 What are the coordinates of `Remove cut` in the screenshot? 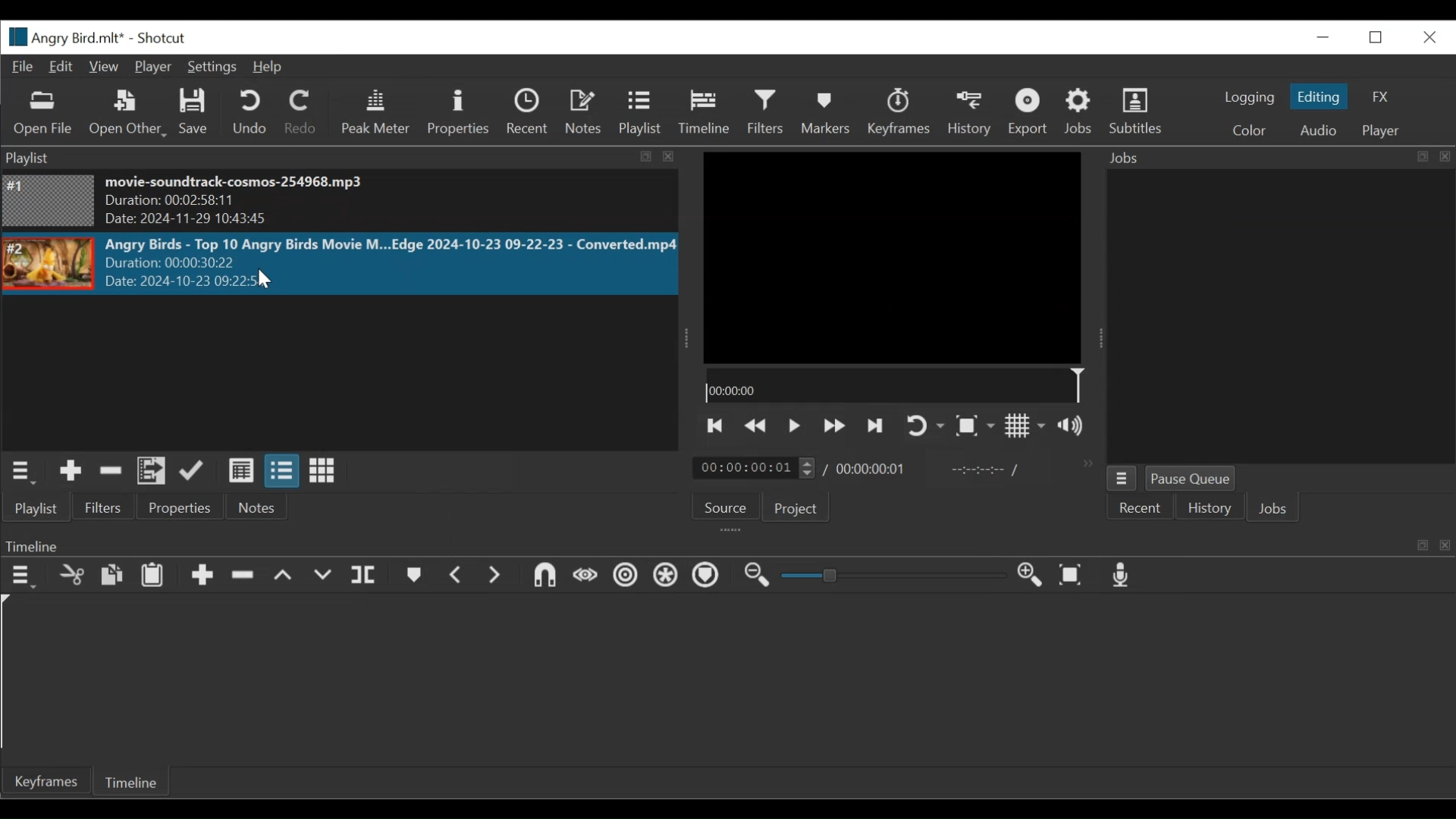 It's located at (111, 472).